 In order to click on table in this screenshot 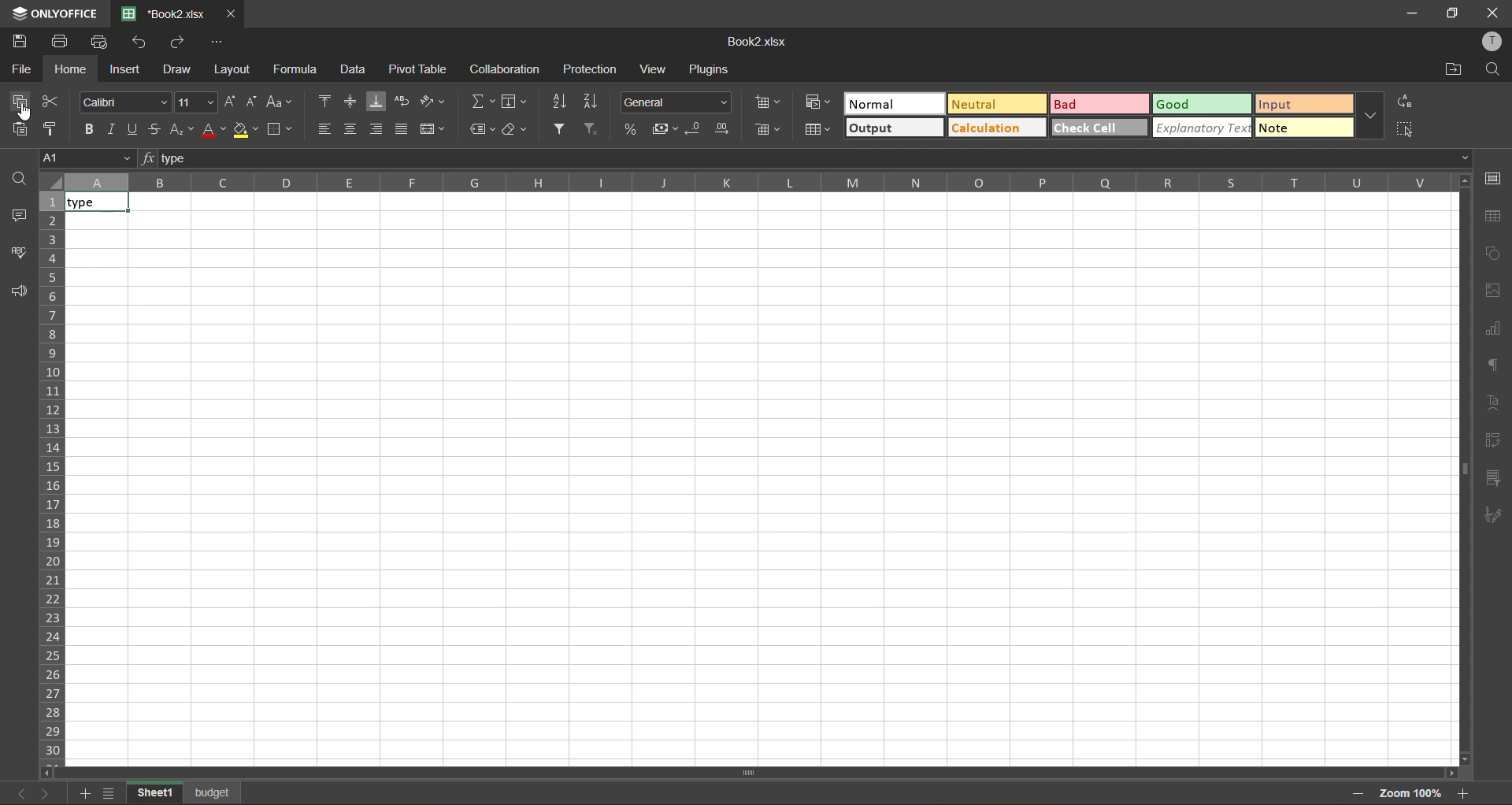, I will do `click(1497, 216)`.